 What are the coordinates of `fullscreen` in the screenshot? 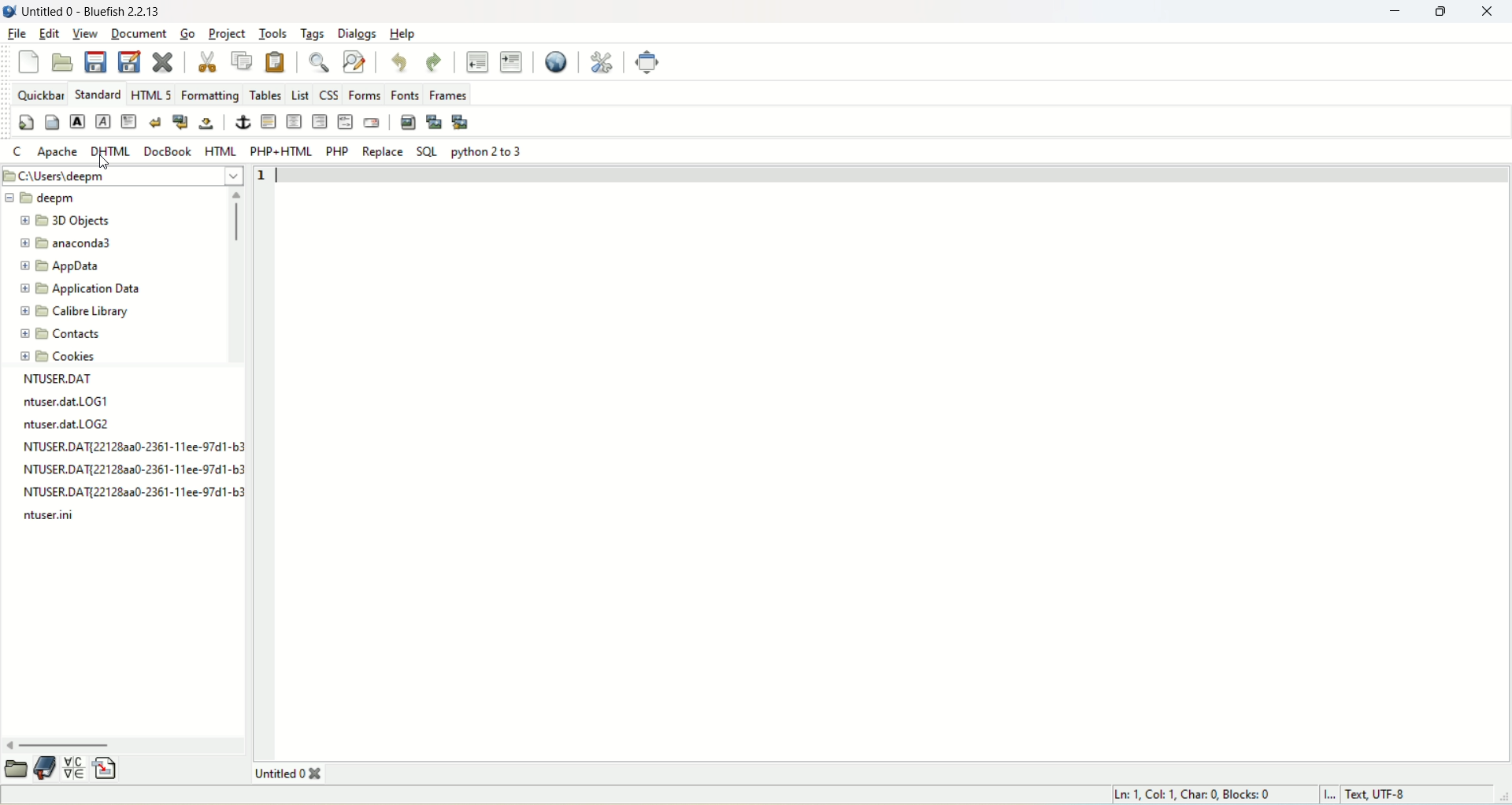 It's located at (649, 62).